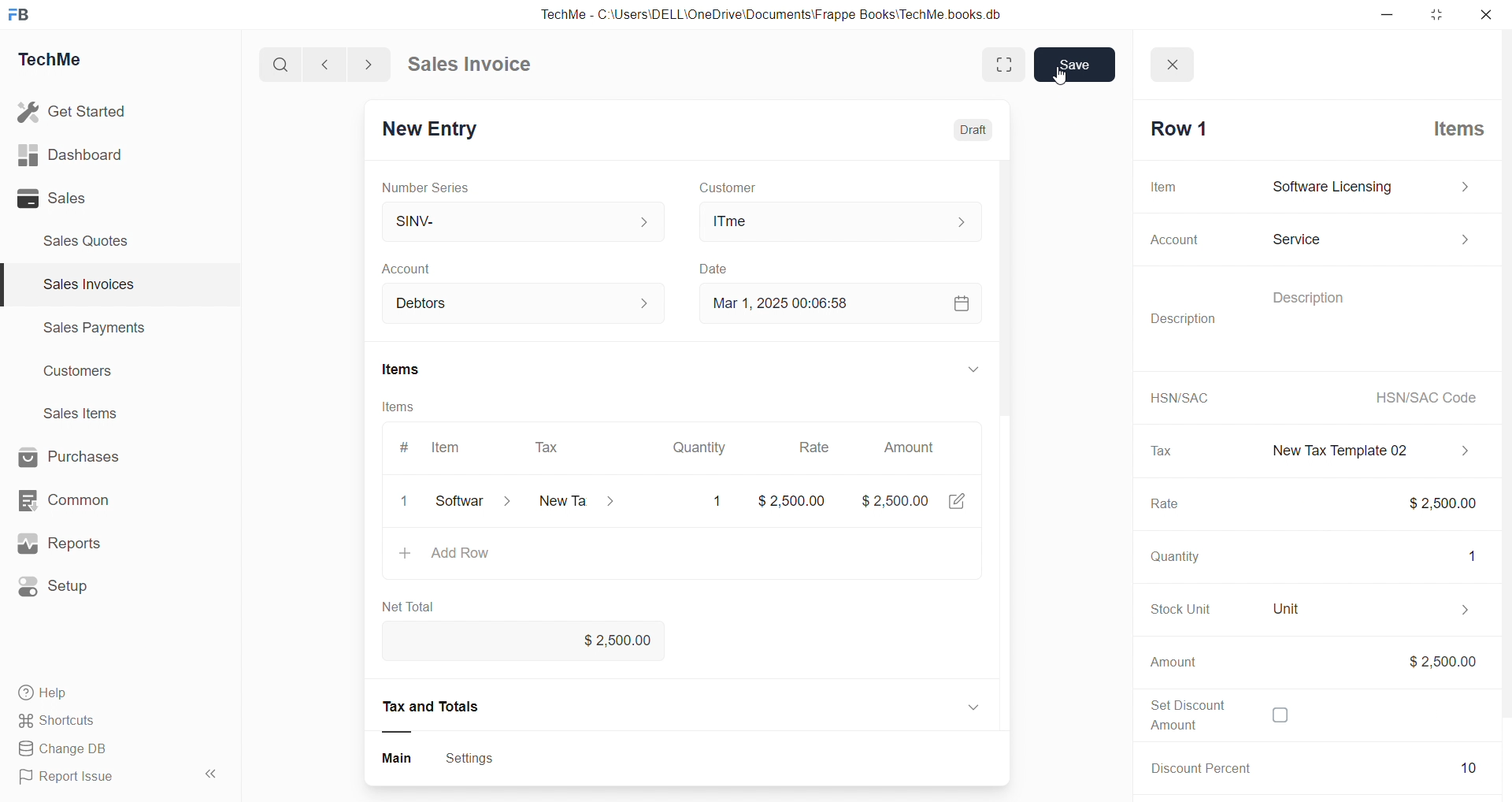 The width and height of the screenshot is (1512, 802). Describe the element at coordinates (433, 188) in the screenshot. I see `Number Series` at that location.